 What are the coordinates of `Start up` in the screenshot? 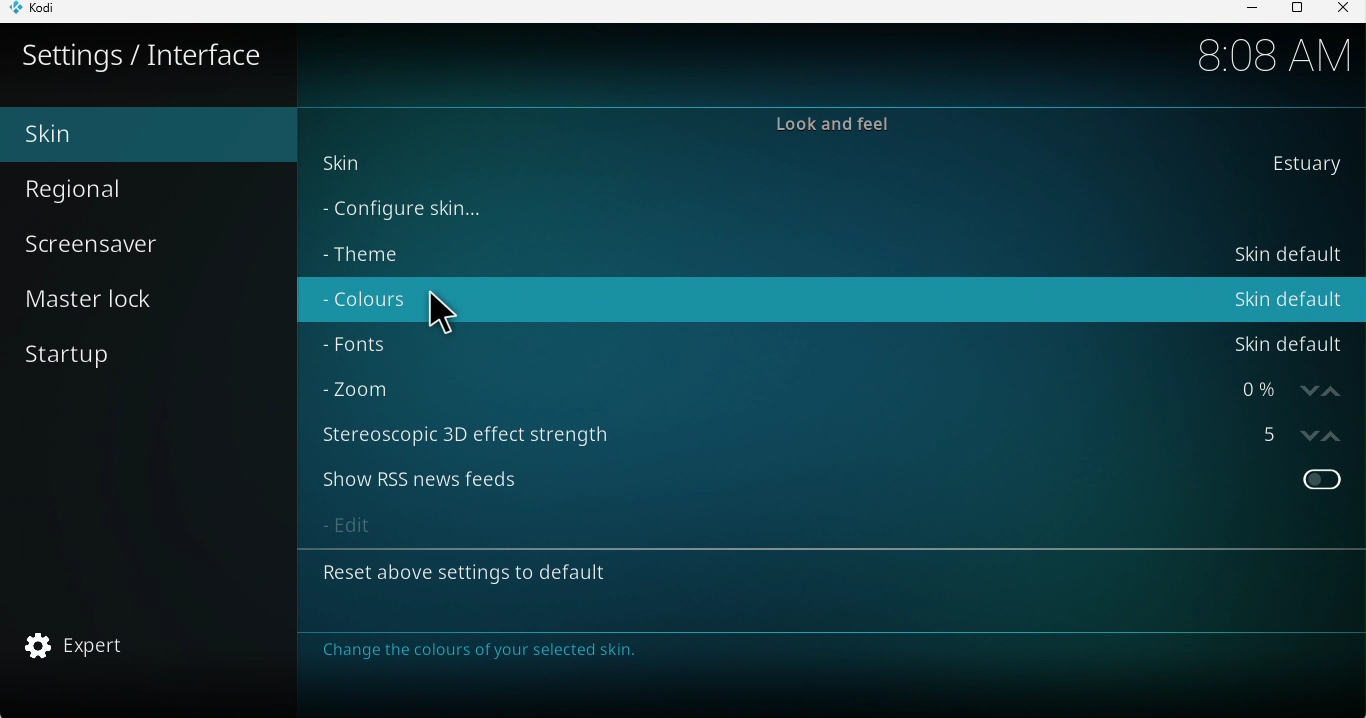 It's located at (78, 352).